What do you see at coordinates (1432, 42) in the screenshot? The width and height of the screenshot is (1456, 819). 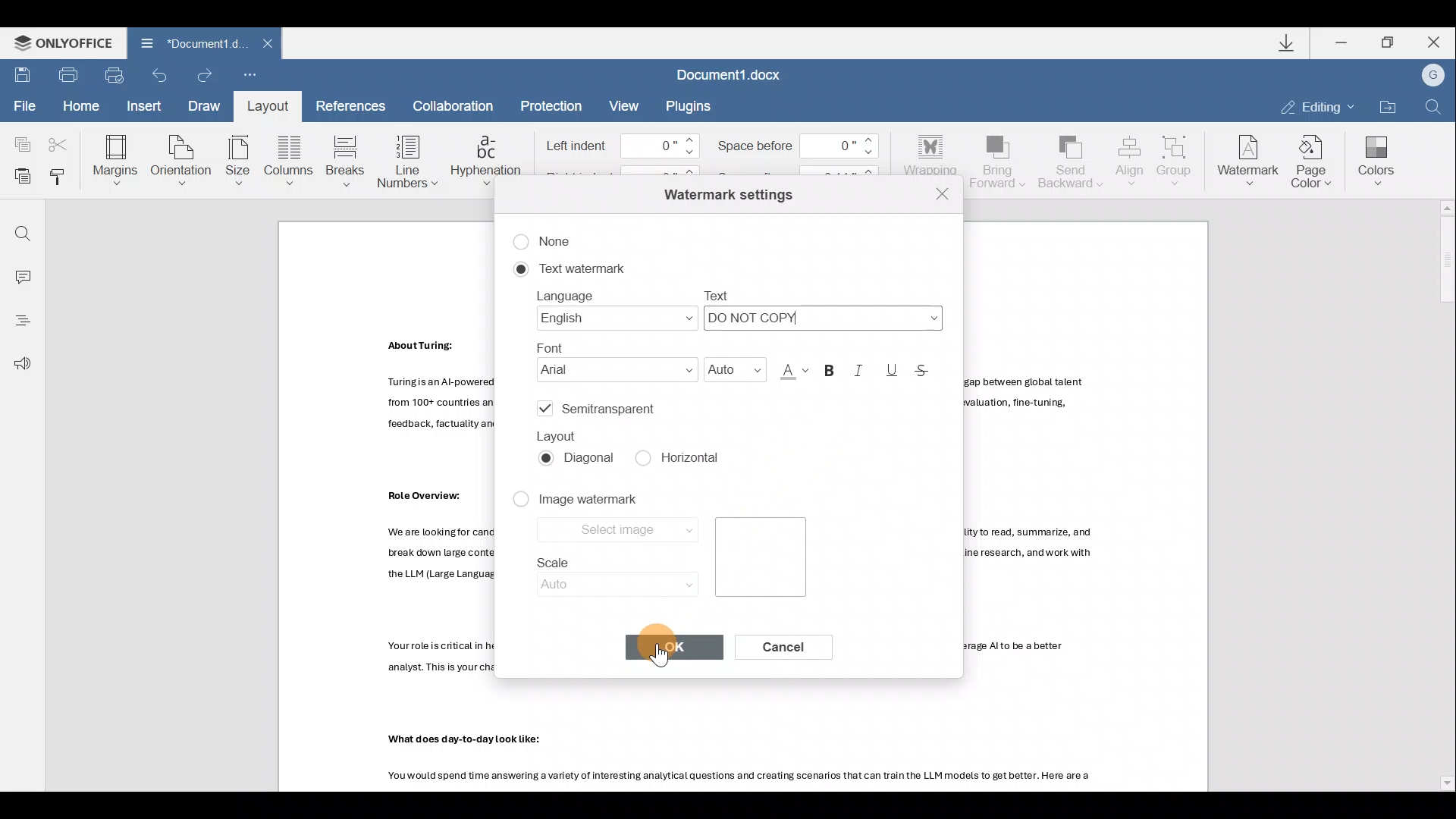 I see `Close` at bounding box center [1432, 42].